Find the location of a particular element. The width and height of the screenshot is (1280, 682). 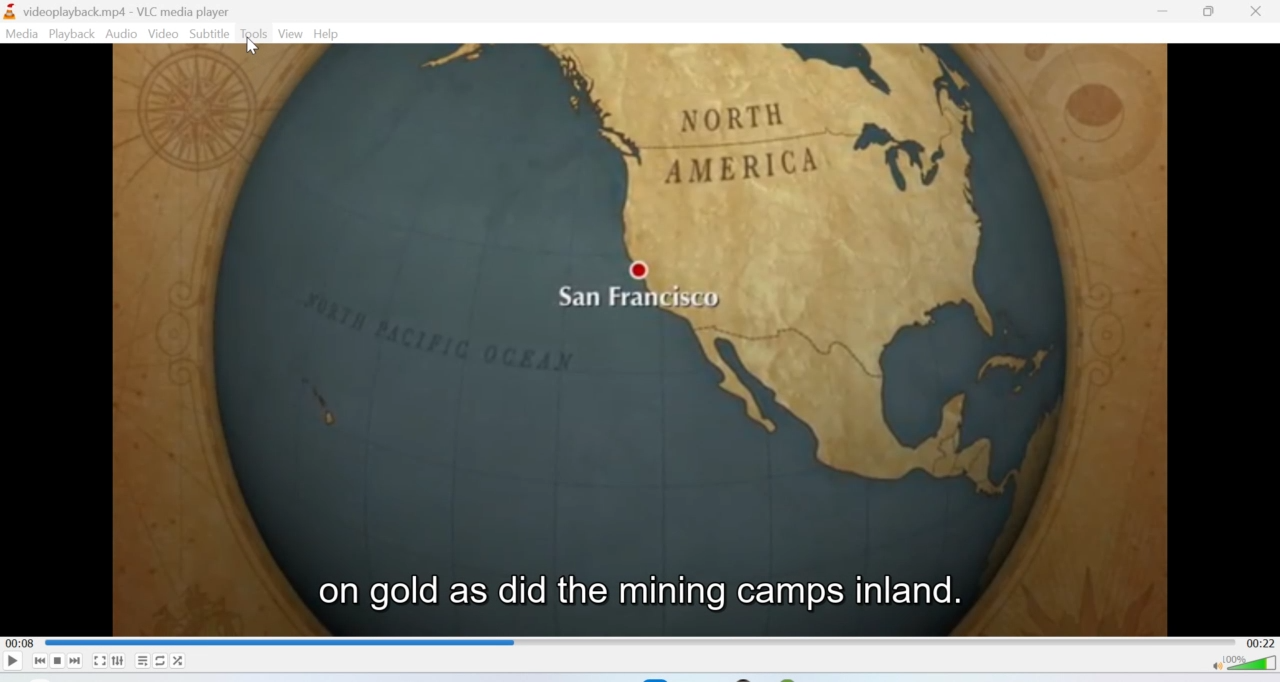

videoplayback.mp4-VLC media player is located at coordinates (120, 12).